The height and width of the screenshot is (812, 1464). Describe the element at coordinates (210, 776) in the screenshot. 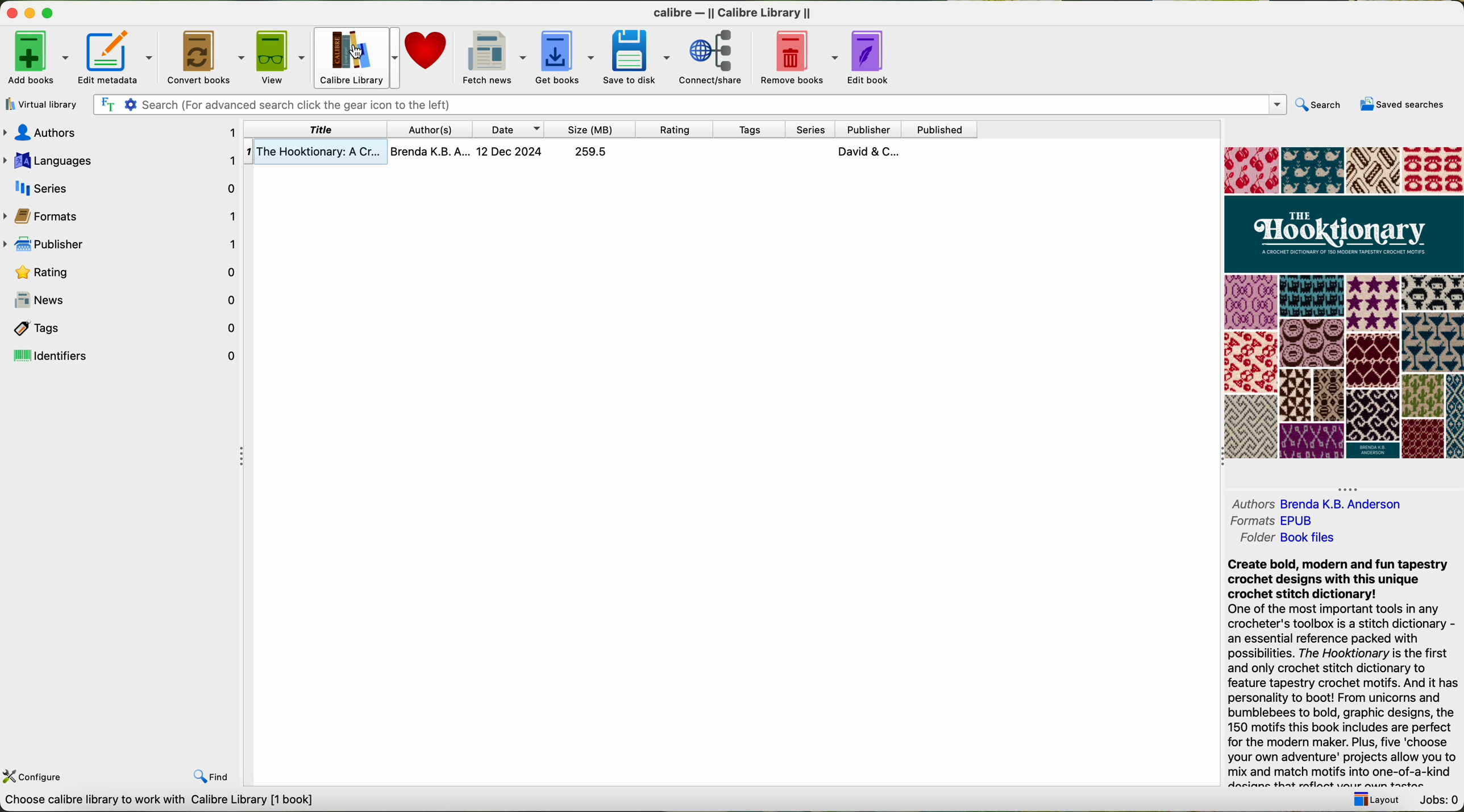

I see `find` at that location.